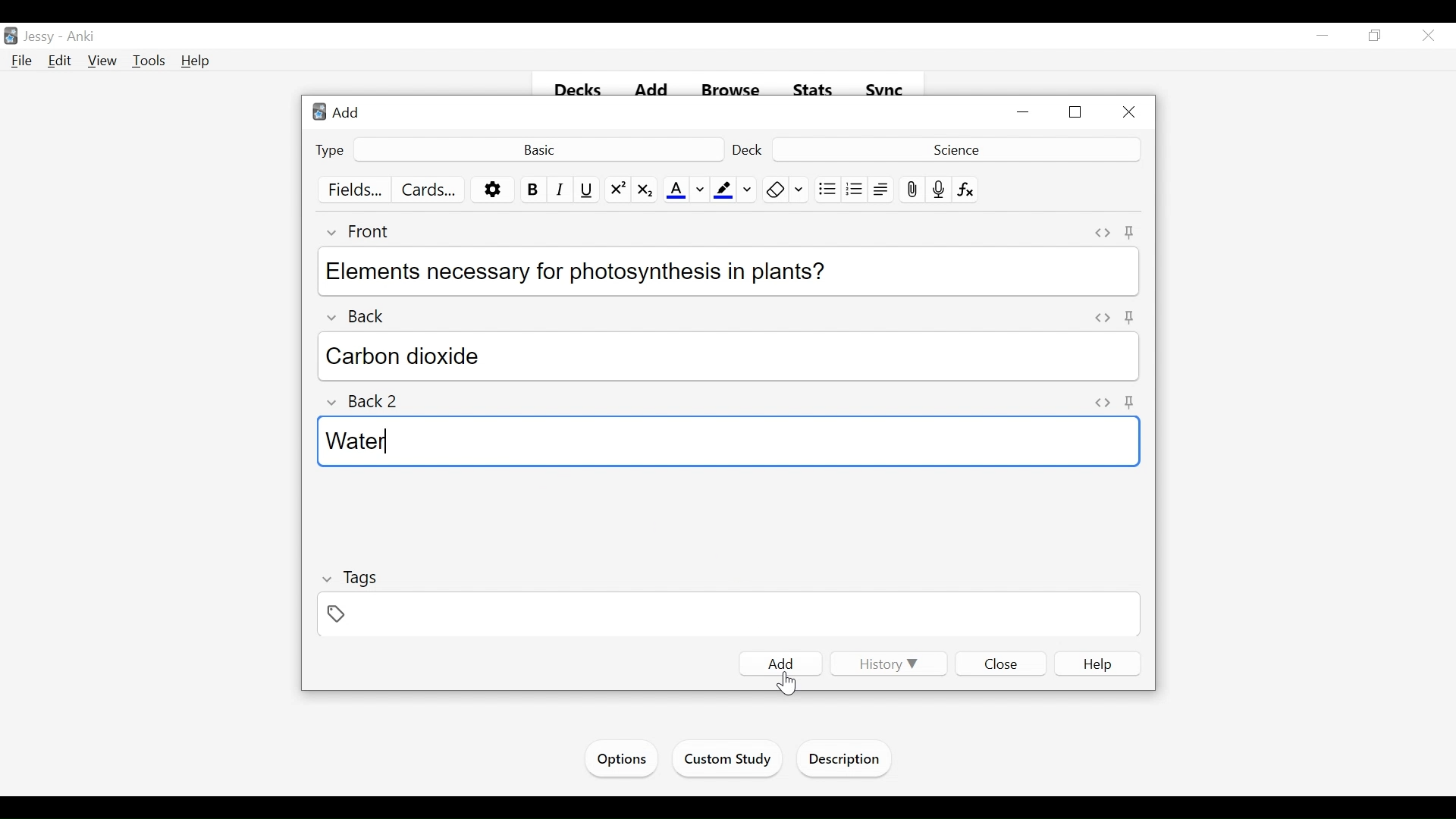  What do you see at coordinates (532, 190) in the screenshot?
I see `Bold` at bounding box center [532, 190].